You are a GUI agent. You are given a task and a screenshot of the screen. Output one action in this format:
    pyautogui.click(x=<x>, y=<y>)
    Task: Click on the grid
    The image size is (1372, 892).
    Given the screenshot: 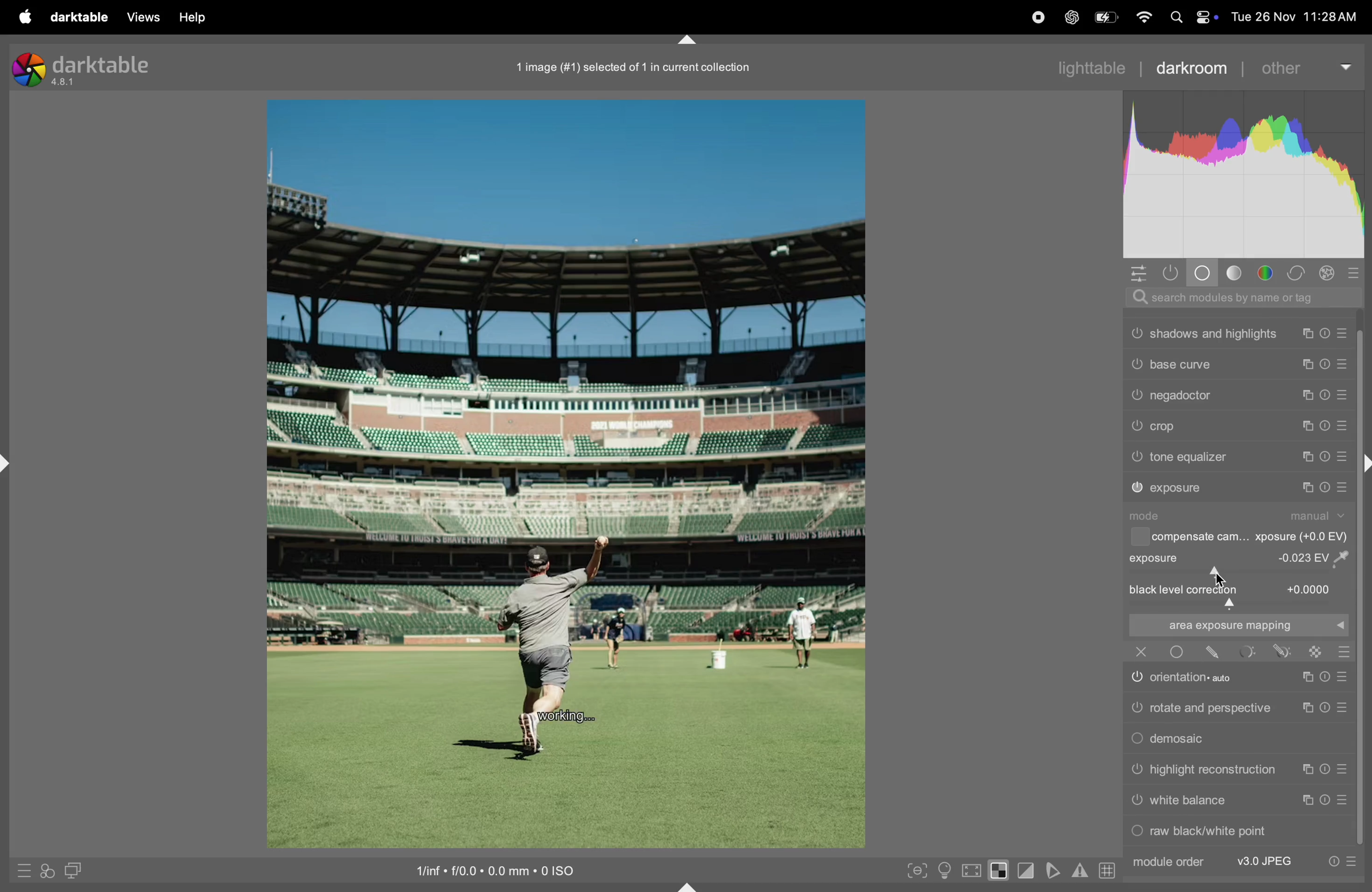 What is the action you would take?
    pyautogui.click(x=1105, y=870)
    